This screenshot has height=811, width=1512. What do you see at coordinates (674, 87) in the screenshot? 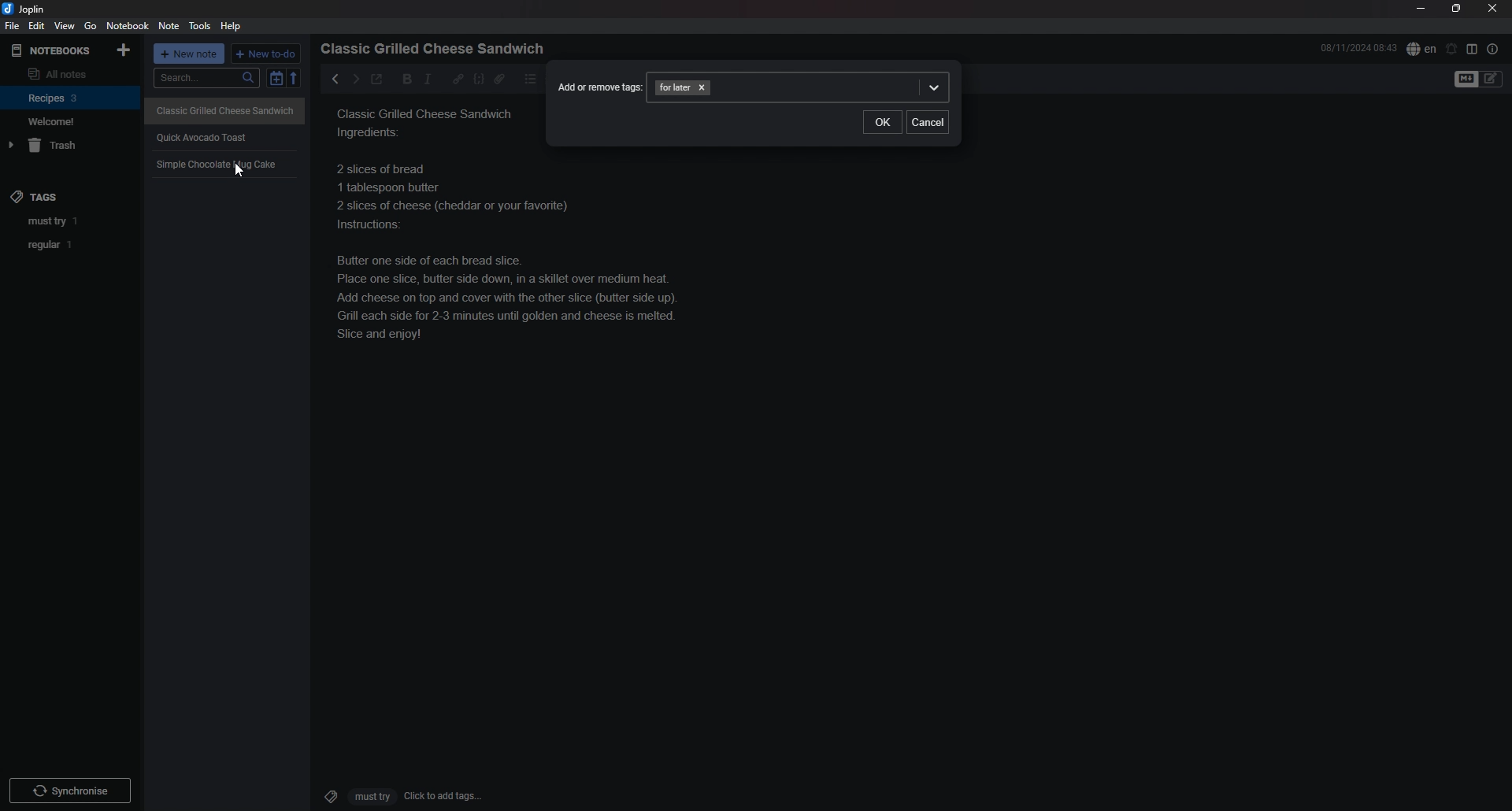
I see `tag` at bounding box center [674, 87].